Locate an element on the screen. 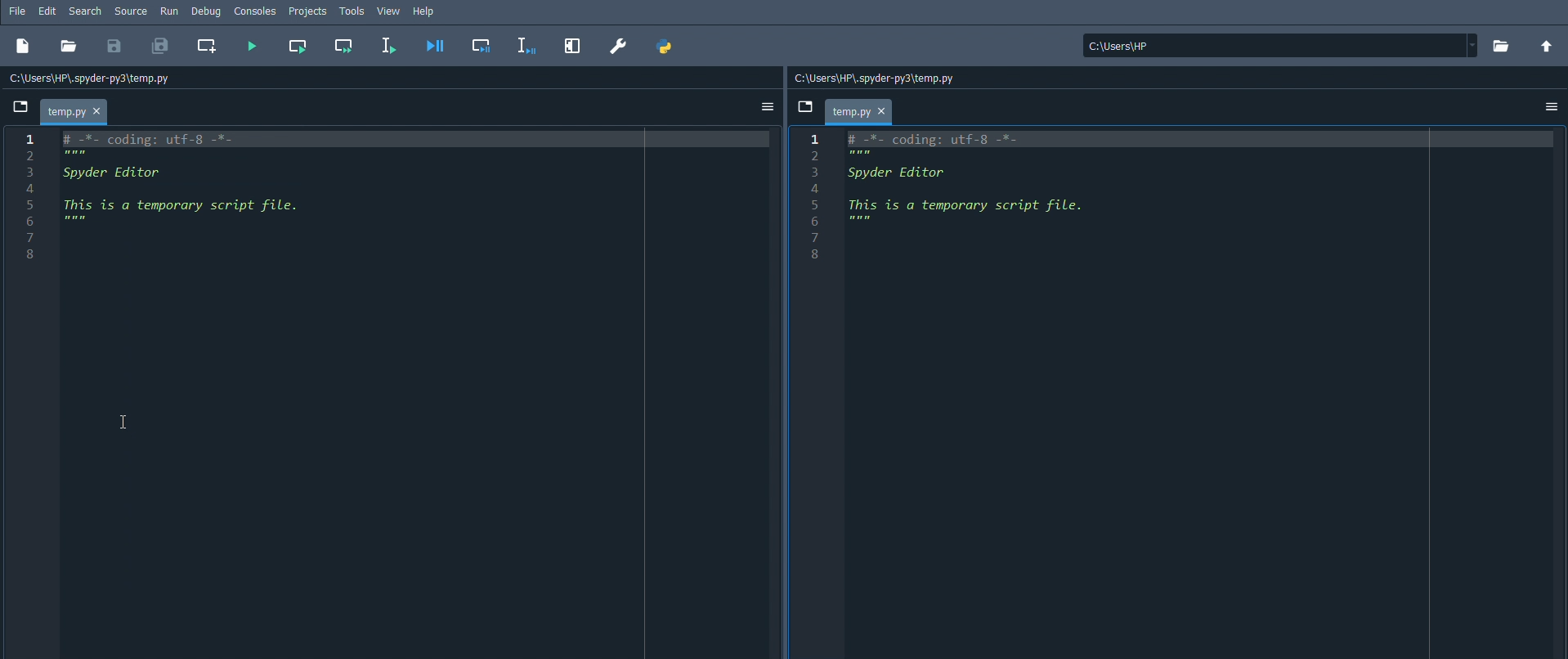 This screenshot has height=659, width=1568. close is located at coordinates (885, 111).